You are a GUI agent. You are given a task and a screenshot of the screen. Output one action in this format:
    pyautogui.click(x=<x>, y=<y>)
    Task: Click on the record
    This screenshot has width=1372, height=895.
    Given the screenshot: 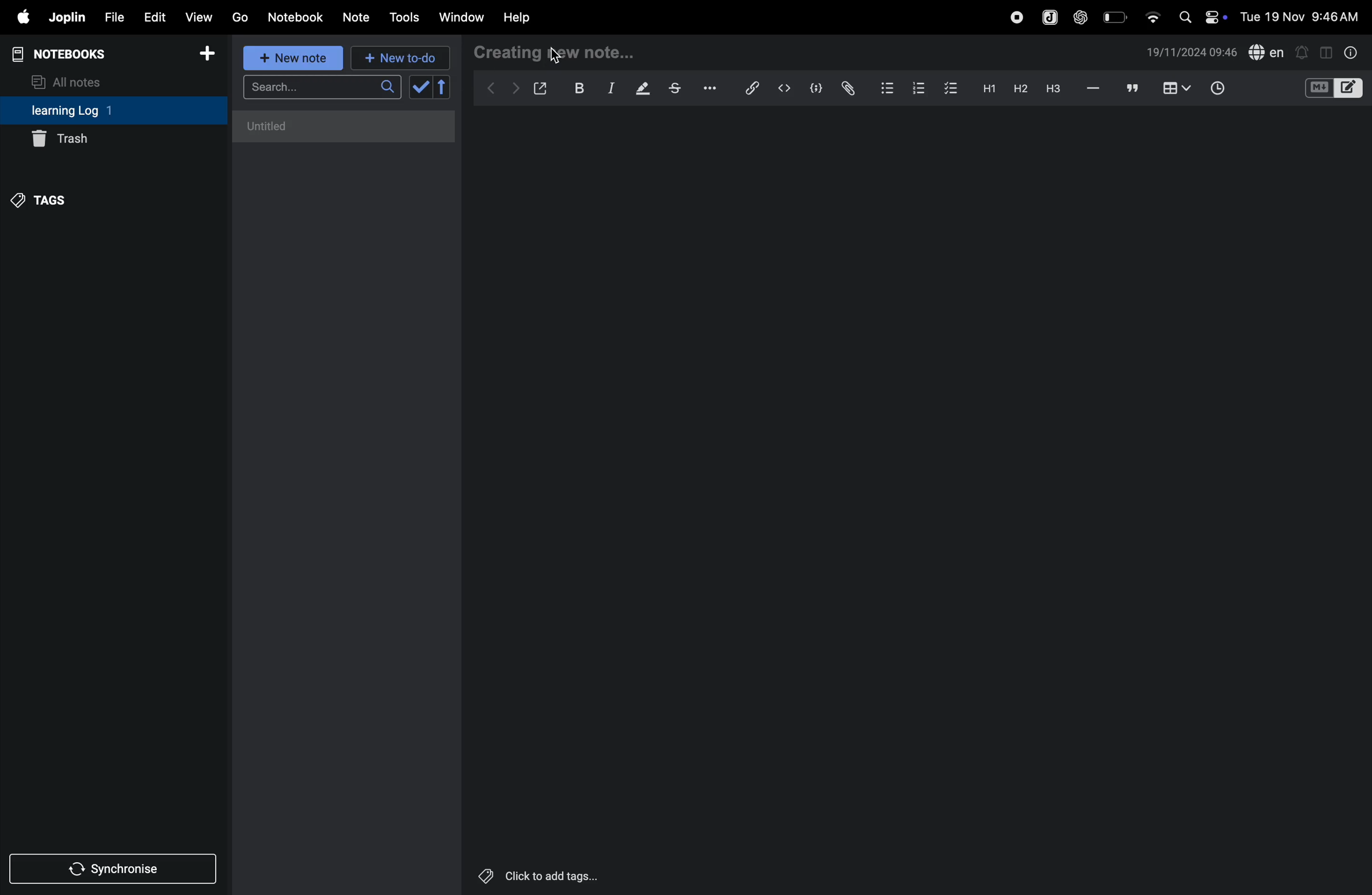 What is the action you would take?
    pyautogui.click(x=1016, y=16)
    